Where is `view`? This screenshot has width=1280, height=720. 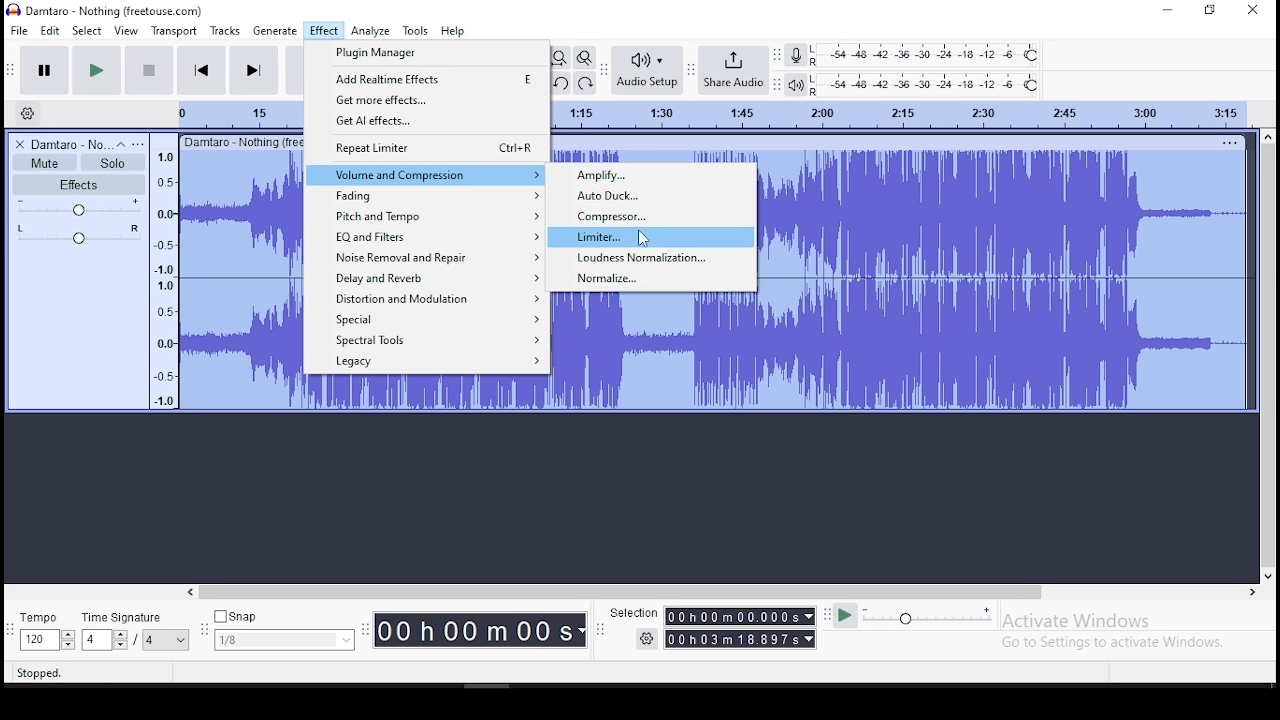 view is located at coordinates (126, 30).